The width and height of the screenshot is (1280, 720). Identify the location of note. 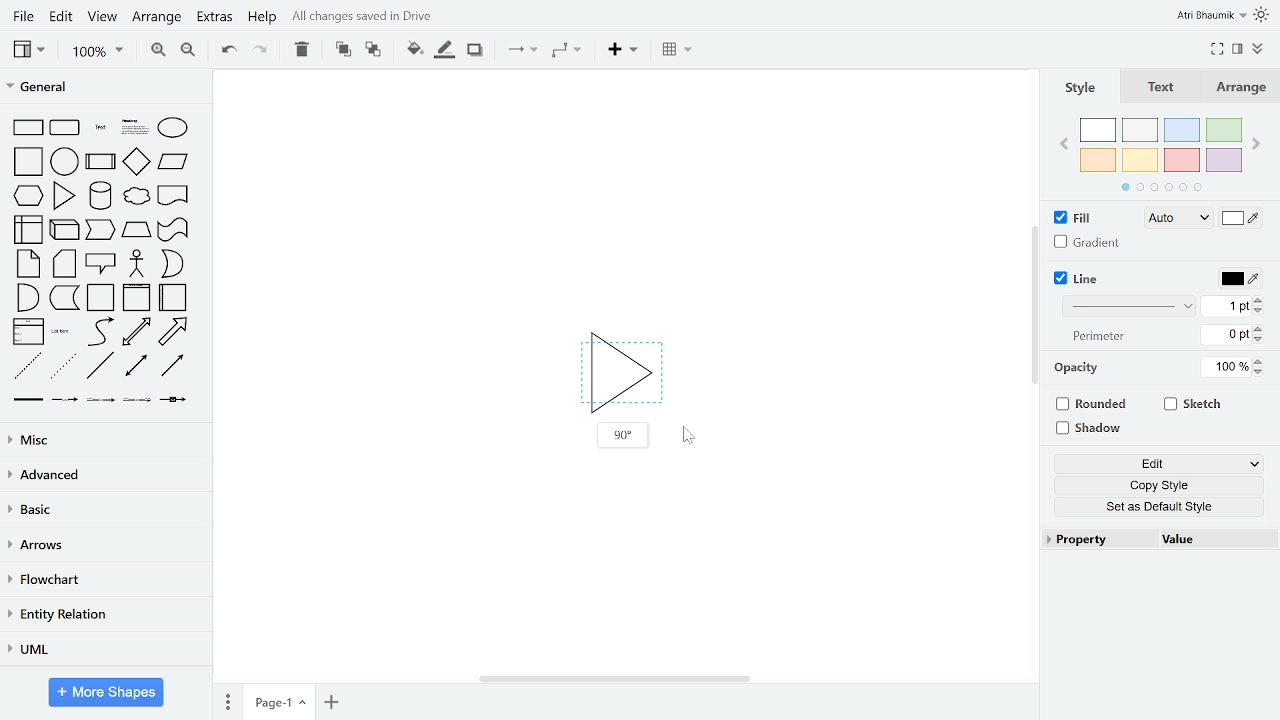
(24, 264).